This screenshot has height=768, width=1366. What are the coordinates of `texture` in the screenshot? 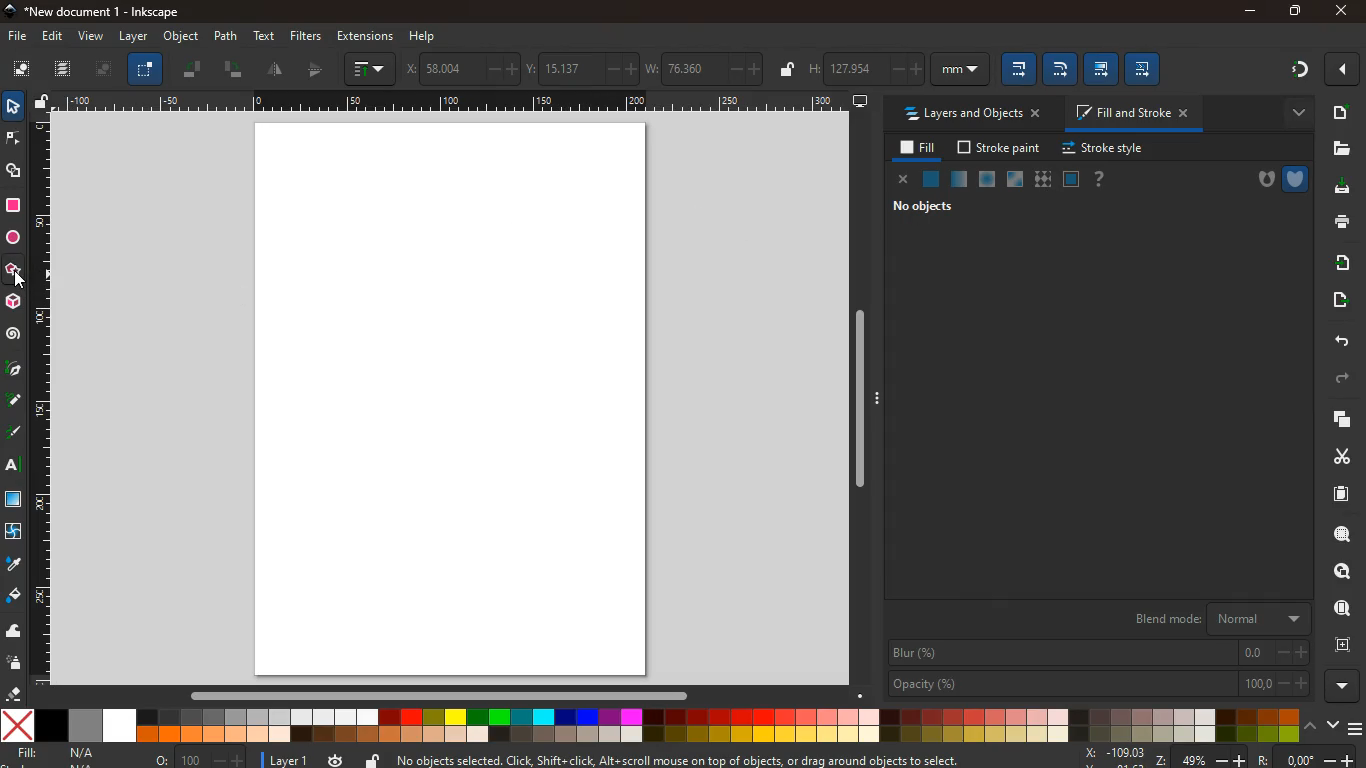 It's located at (1043, 177).